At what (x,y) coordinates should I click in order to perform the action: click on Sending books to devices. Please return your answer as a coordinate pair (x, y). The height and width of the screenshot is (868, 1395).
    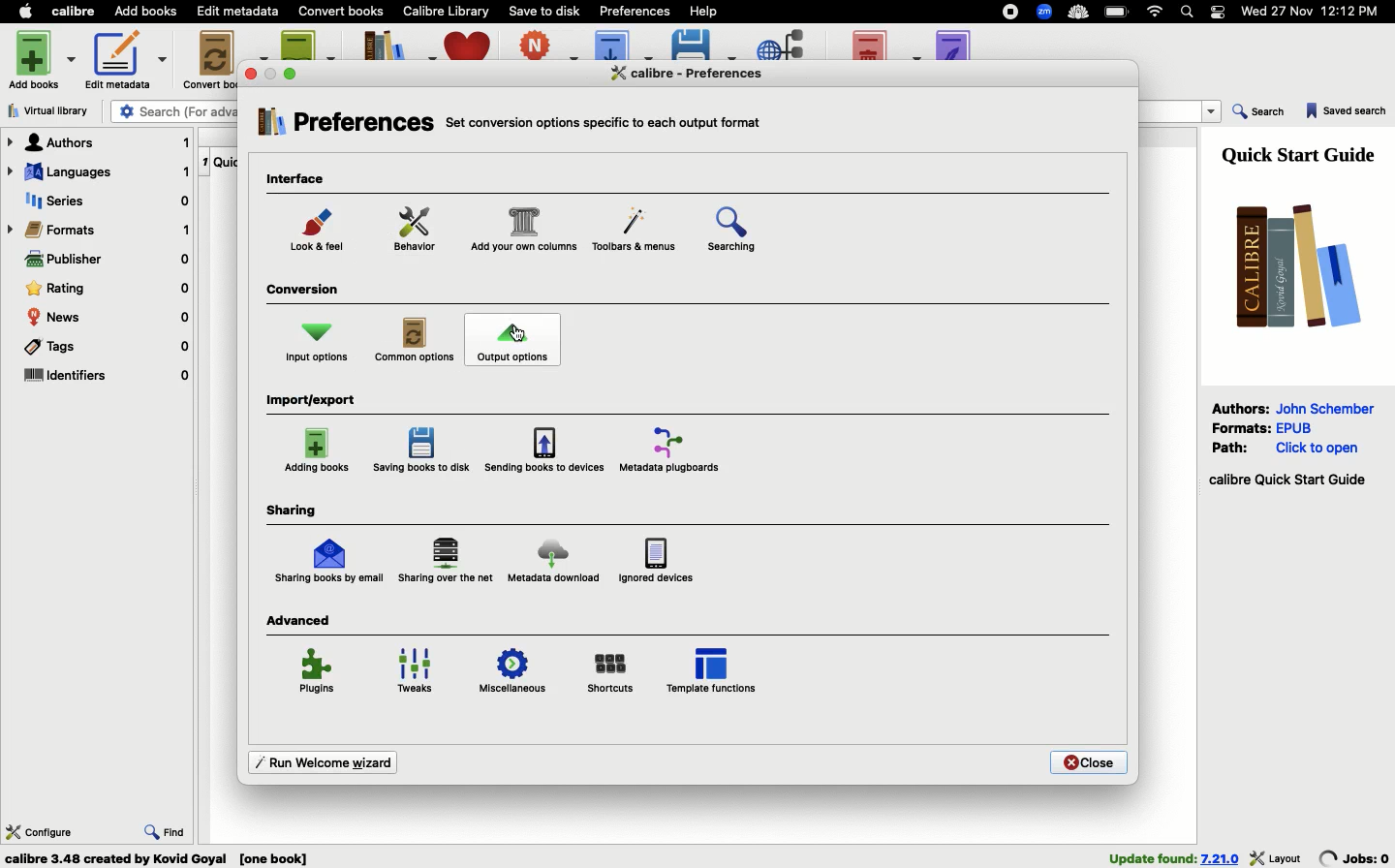
    Looking at the image, I should click on (543, 449).